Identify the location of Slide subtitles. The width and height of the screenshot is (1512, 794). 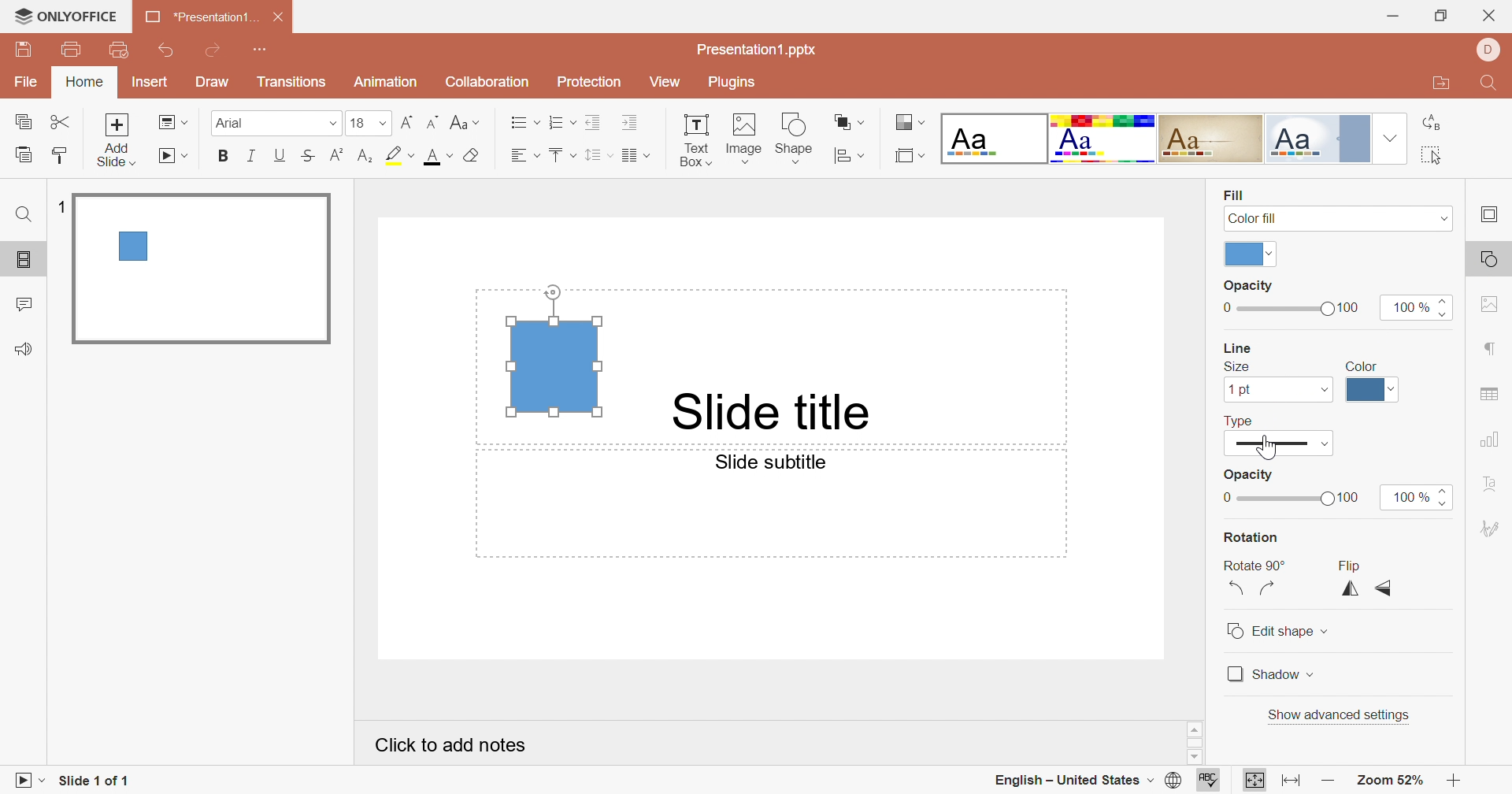
(780, 465).